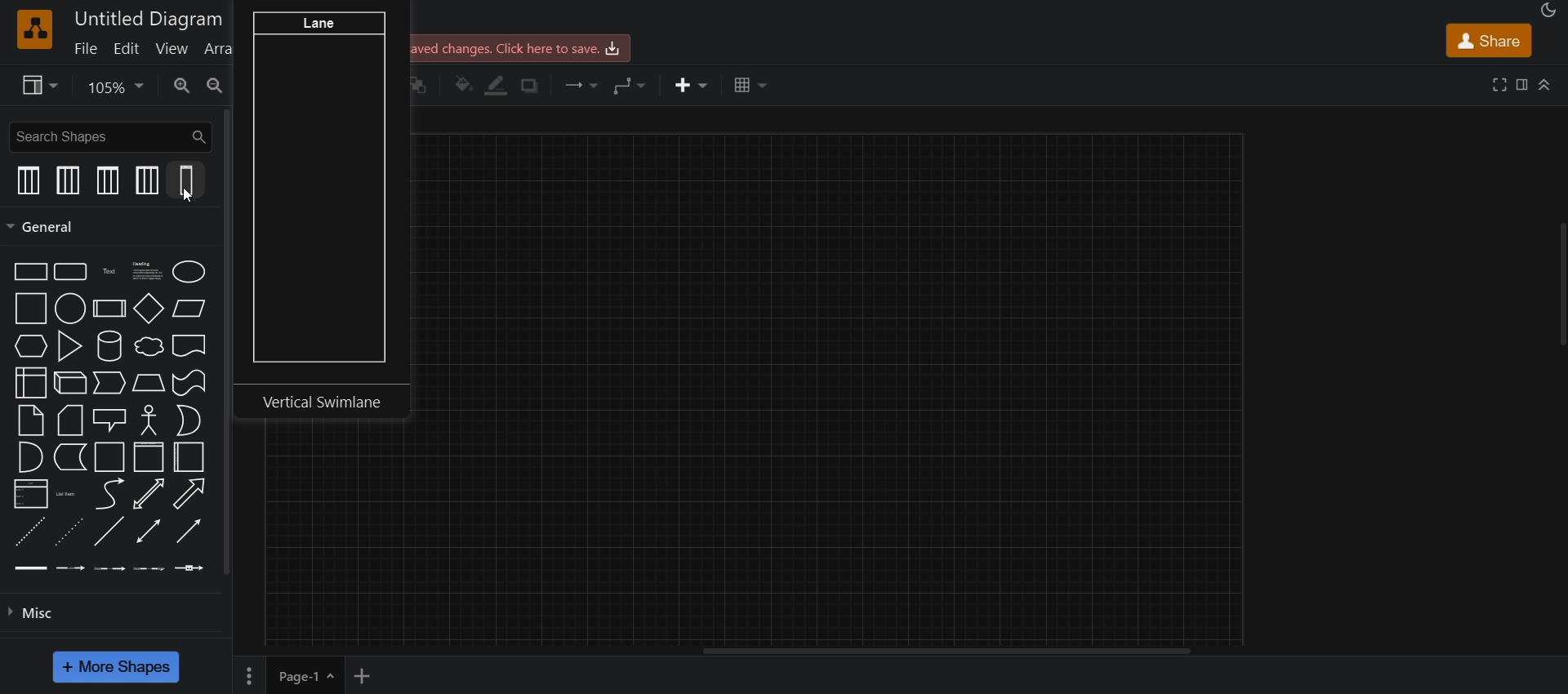 Image resolution: width=1568 pixels, height=694 pixels. What do you see at coordinates (110, 345) in the screenshot?
I see `cylinder` at bounding box center [110, 345].